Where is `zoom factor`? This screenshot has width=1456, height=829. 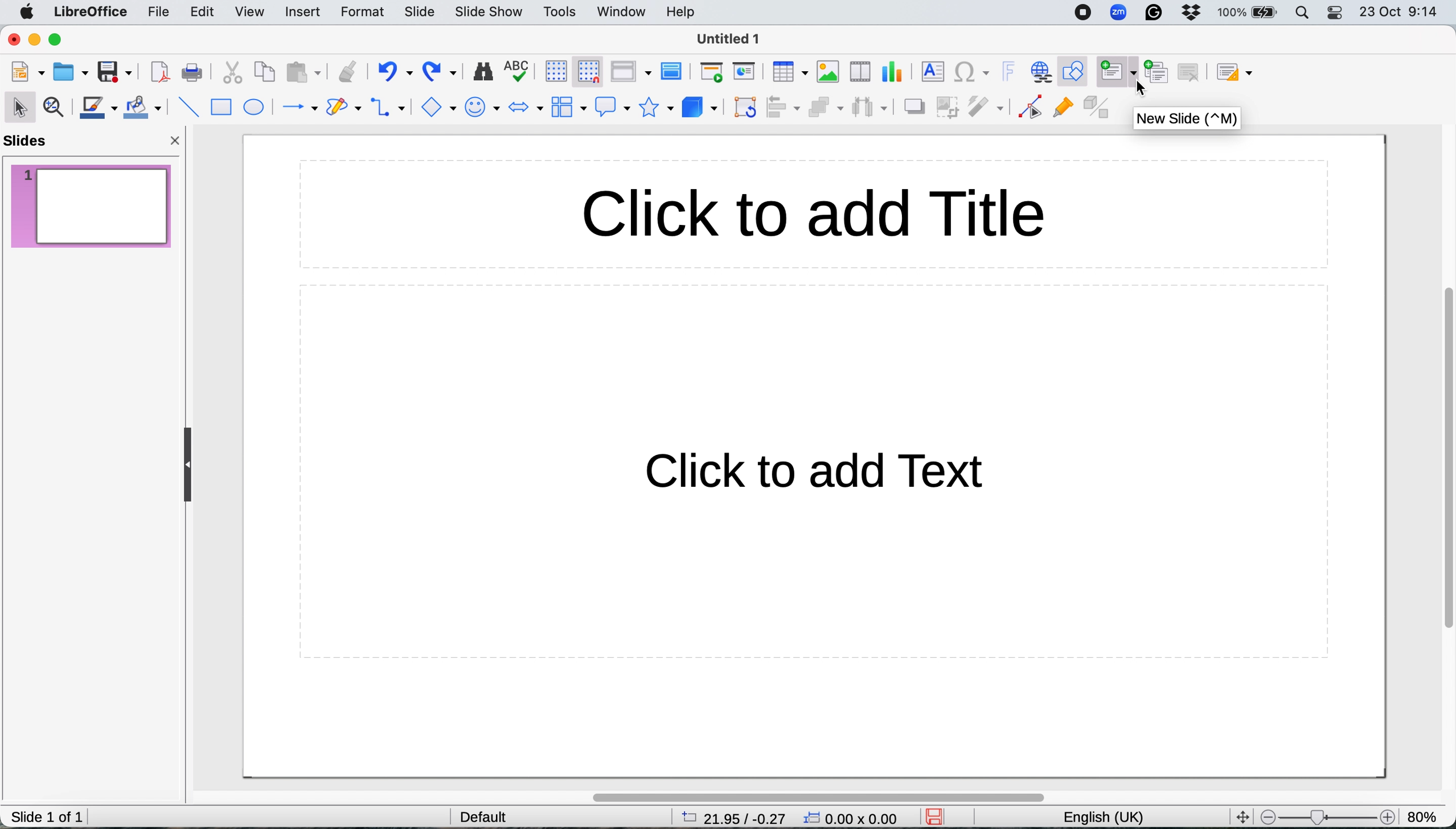
zoom factor is located at coordinates (1427, 815).